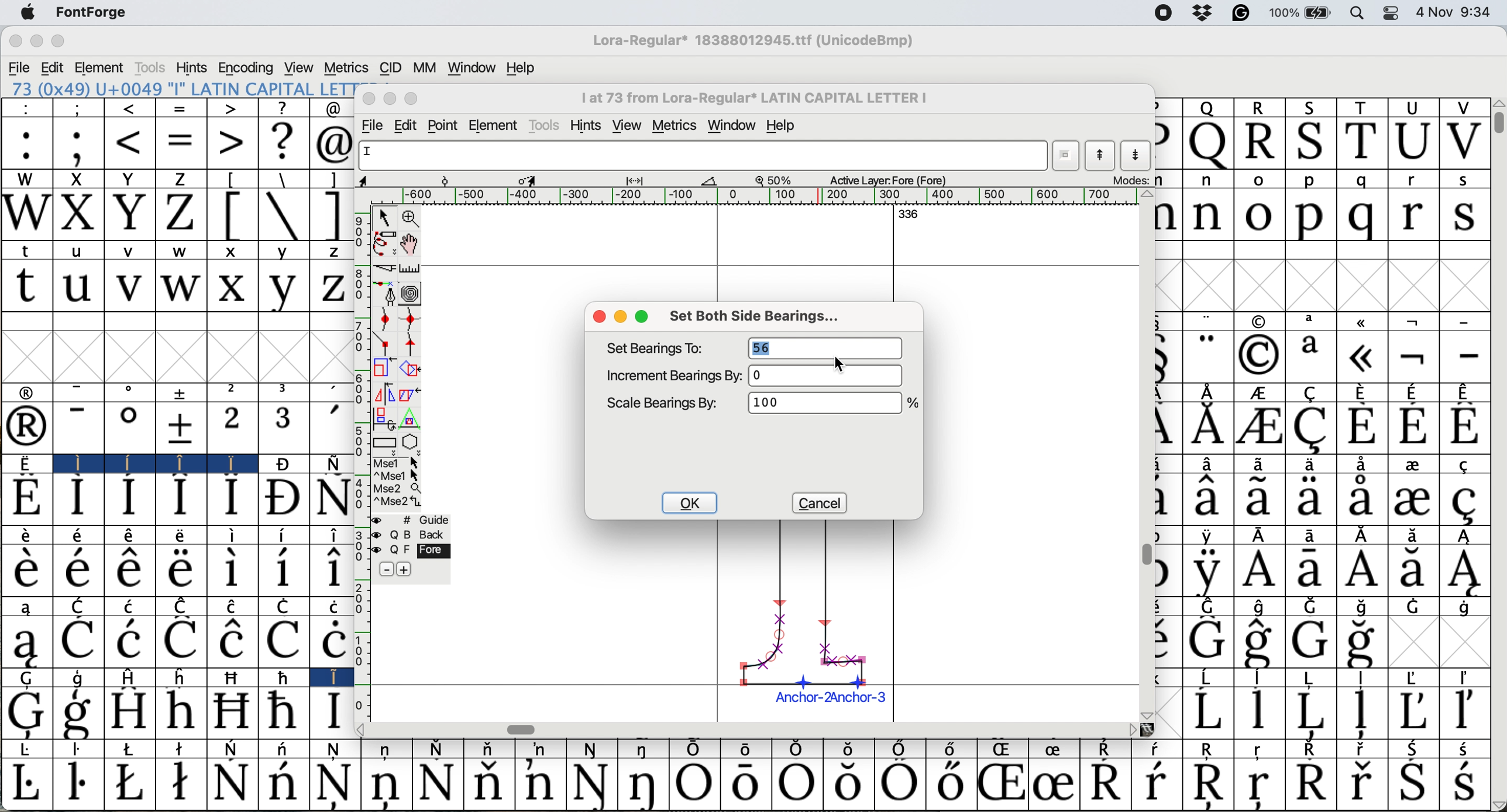  What do you see at coordinates (80, 750) in the screenshot?
I see `Symbol` at bounding box center [80, 750].